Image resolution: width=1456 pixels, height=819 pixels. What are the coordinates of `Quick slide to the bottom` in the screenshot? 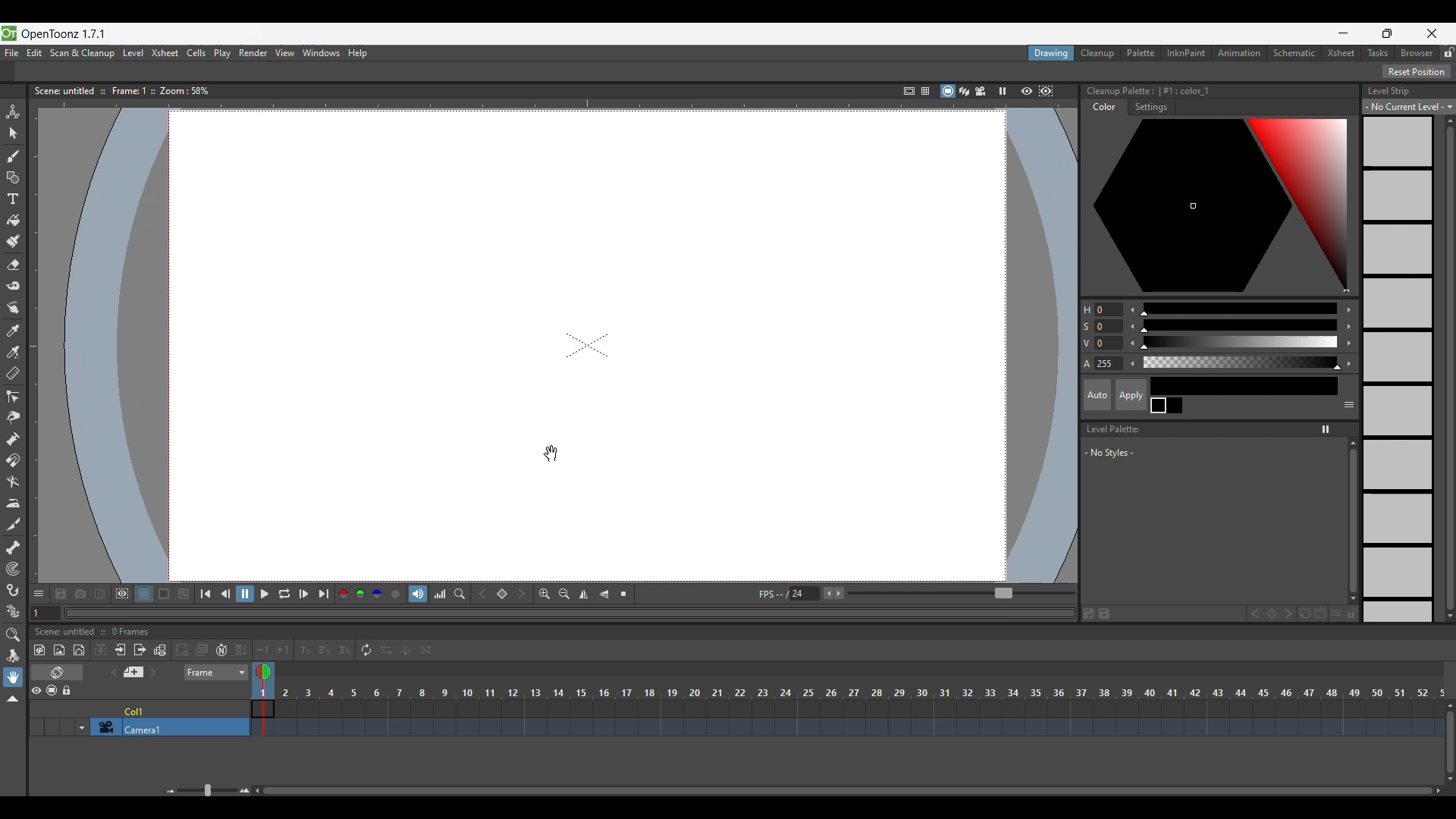 It's located at (1354, 599).